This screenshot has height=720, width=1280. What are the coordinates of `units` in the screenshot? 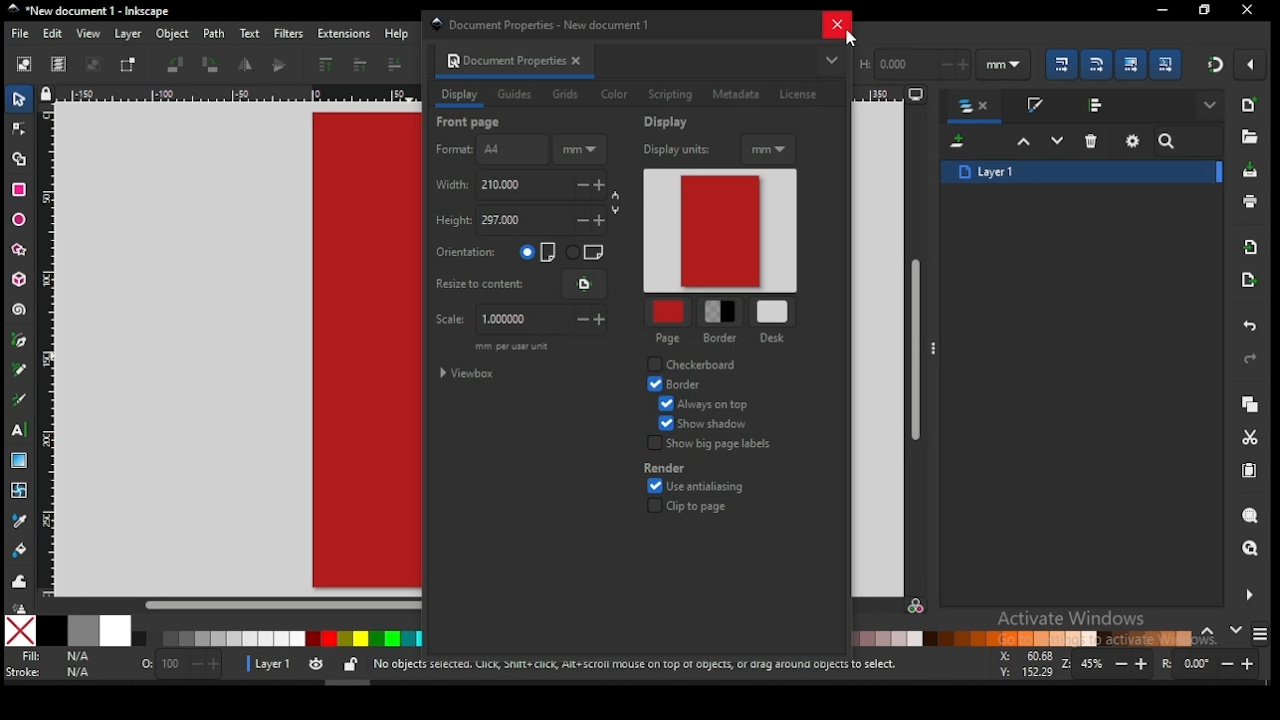 It's located at (1004, 65).